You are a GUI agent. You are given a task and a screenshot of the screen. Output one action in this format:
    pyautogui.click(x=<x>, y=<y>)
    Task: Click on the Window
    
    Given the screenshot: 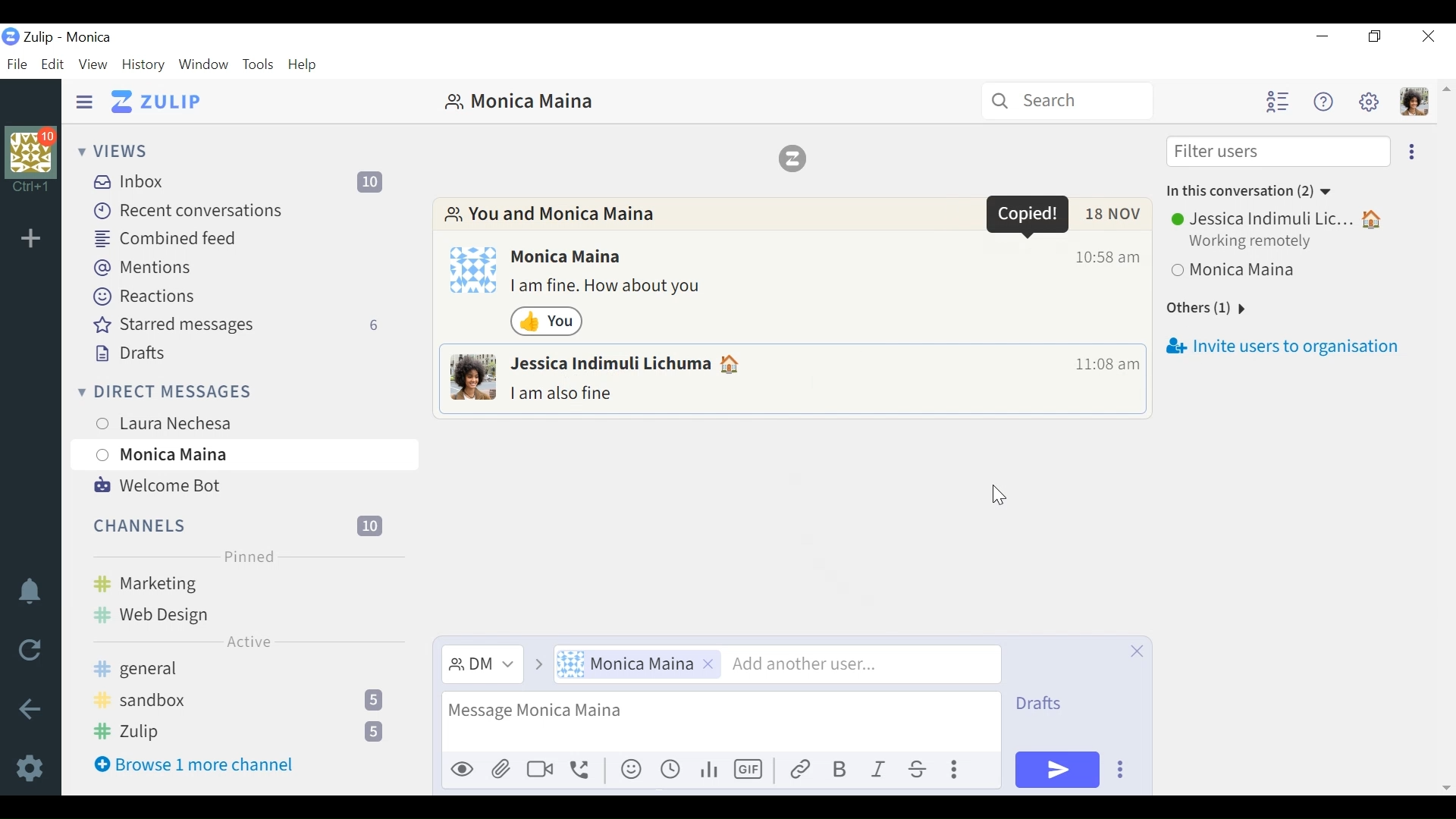 What is the action you would take?
    pyautogui.click(x=204, y=65)
    